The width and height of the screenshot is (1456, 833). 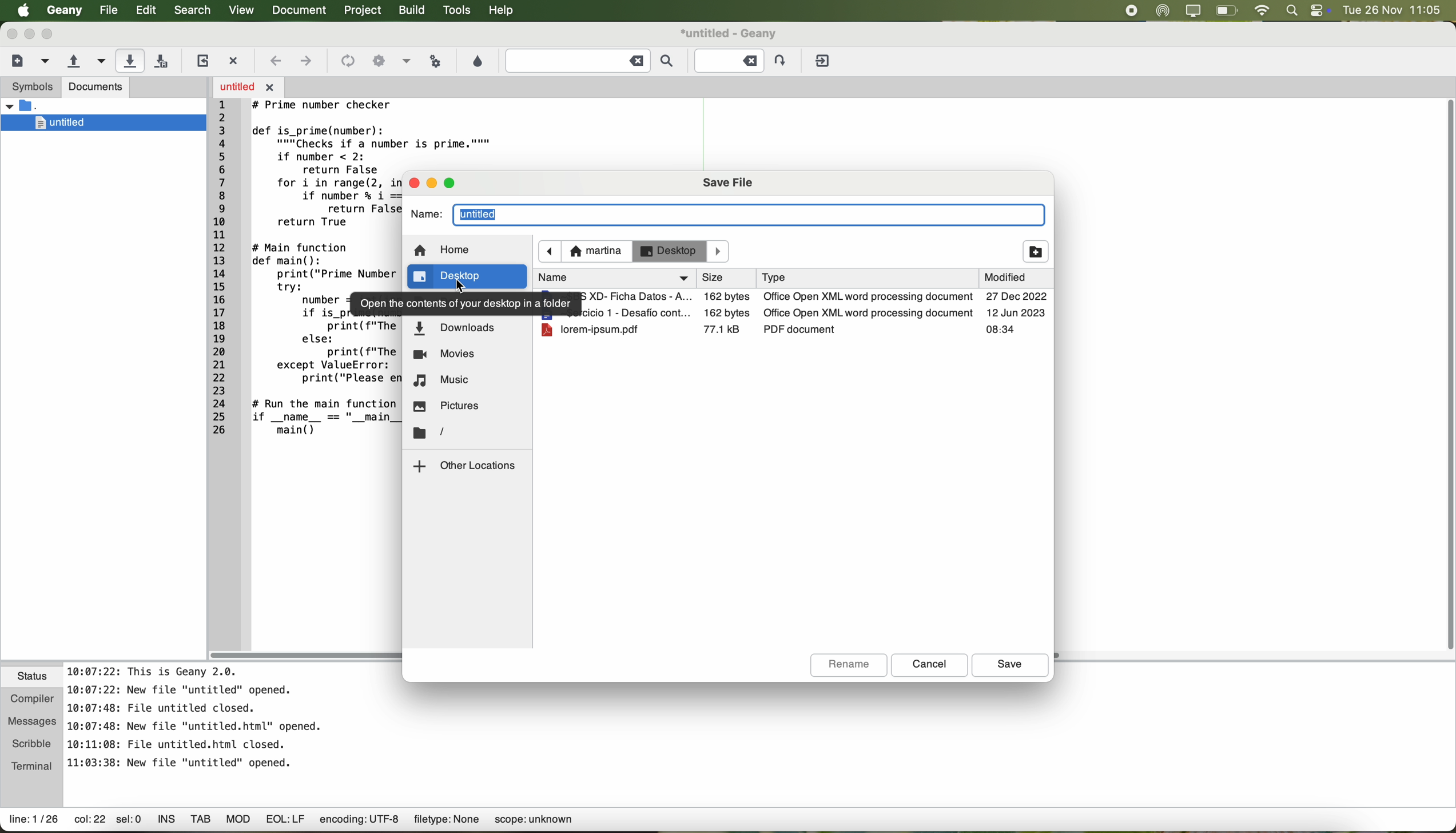 What do you see at coordinates (1022, 279) in the screenshot?
I see `modified` at bounding box center [1022, 279].